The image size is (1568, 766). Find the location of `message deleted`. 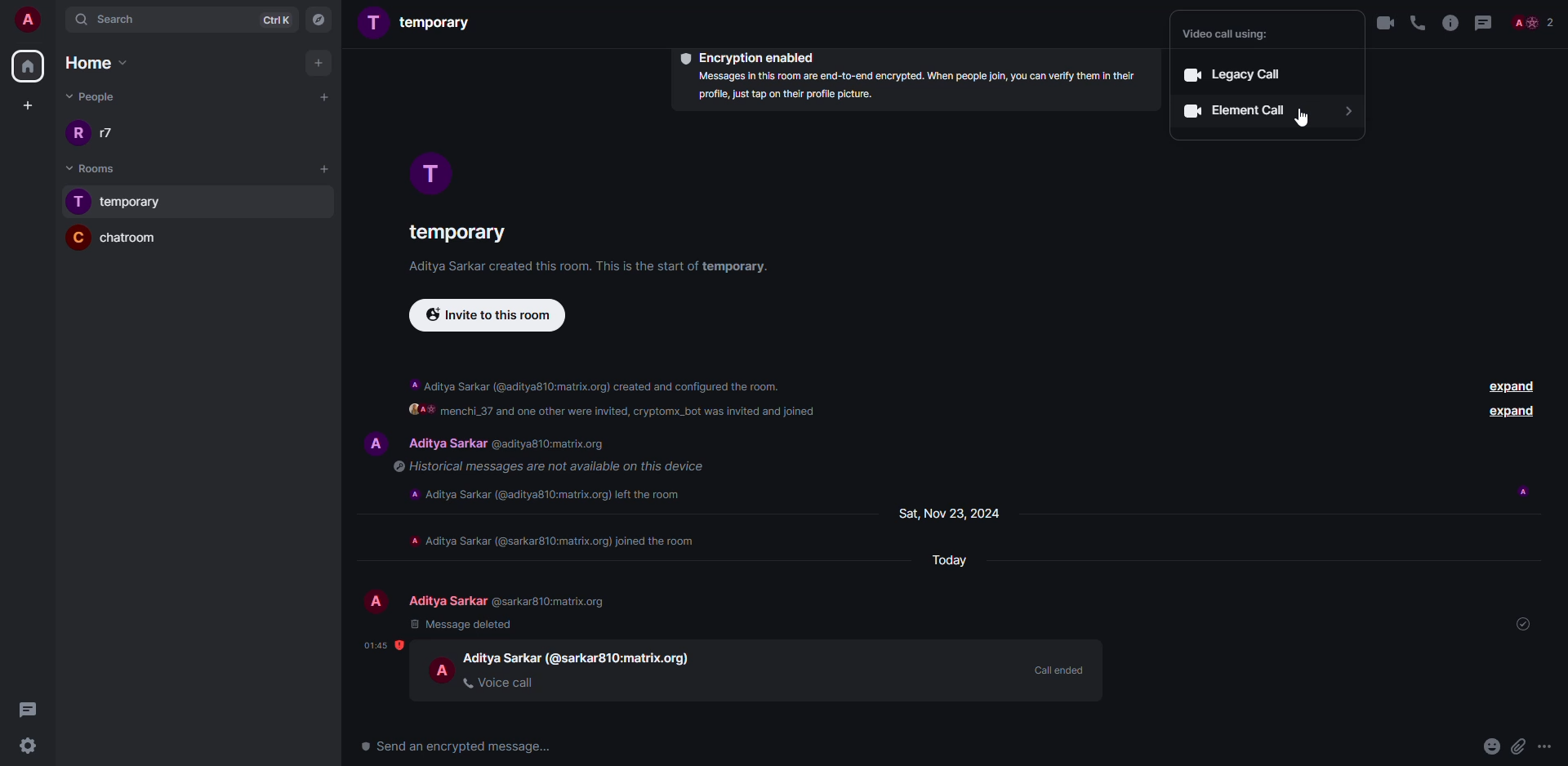

message deleted is located at coordinates (462, 625).